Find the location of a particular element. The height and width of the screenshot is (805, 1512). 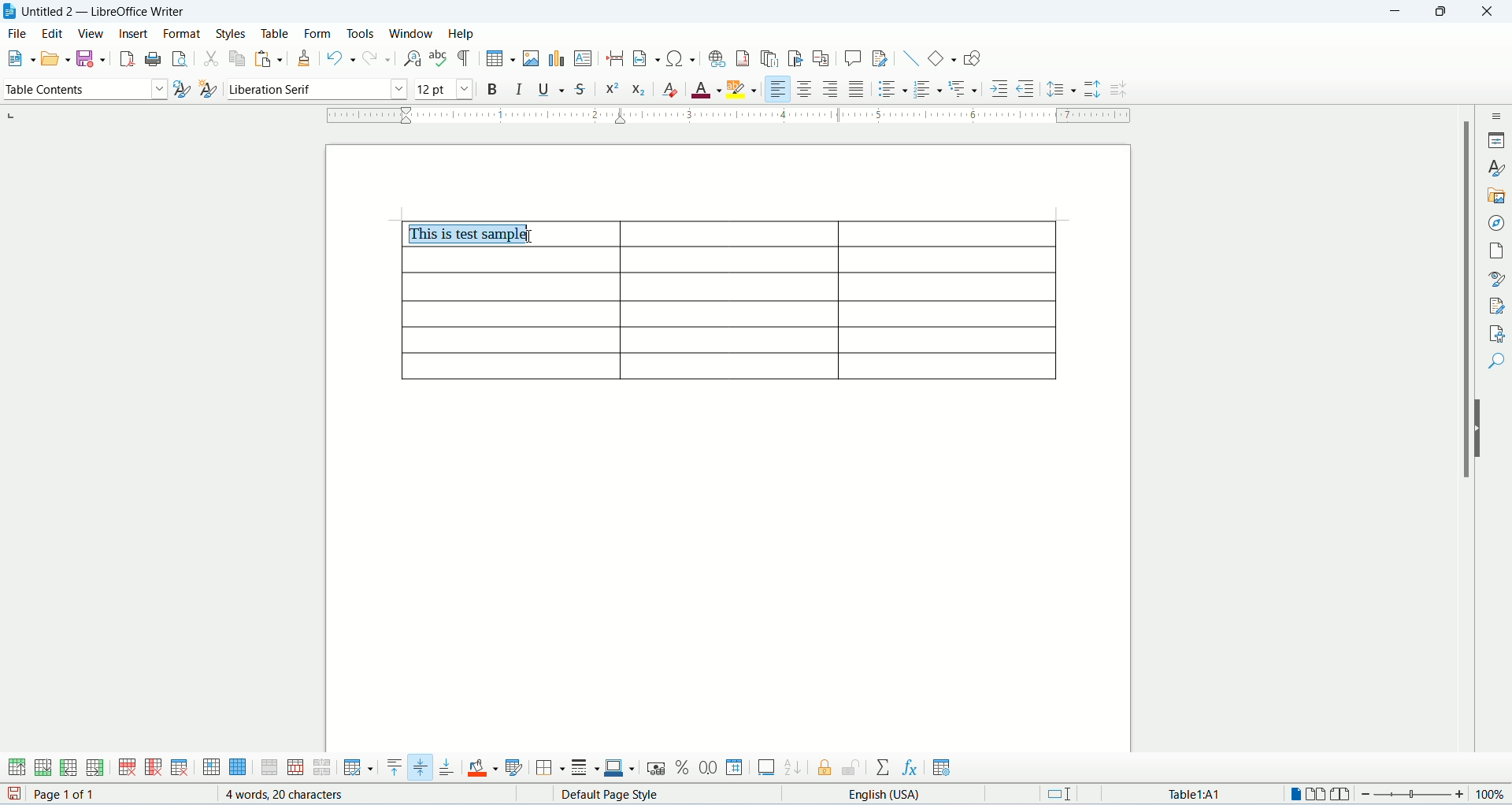

maximize is located at coordinates (1445, 12).